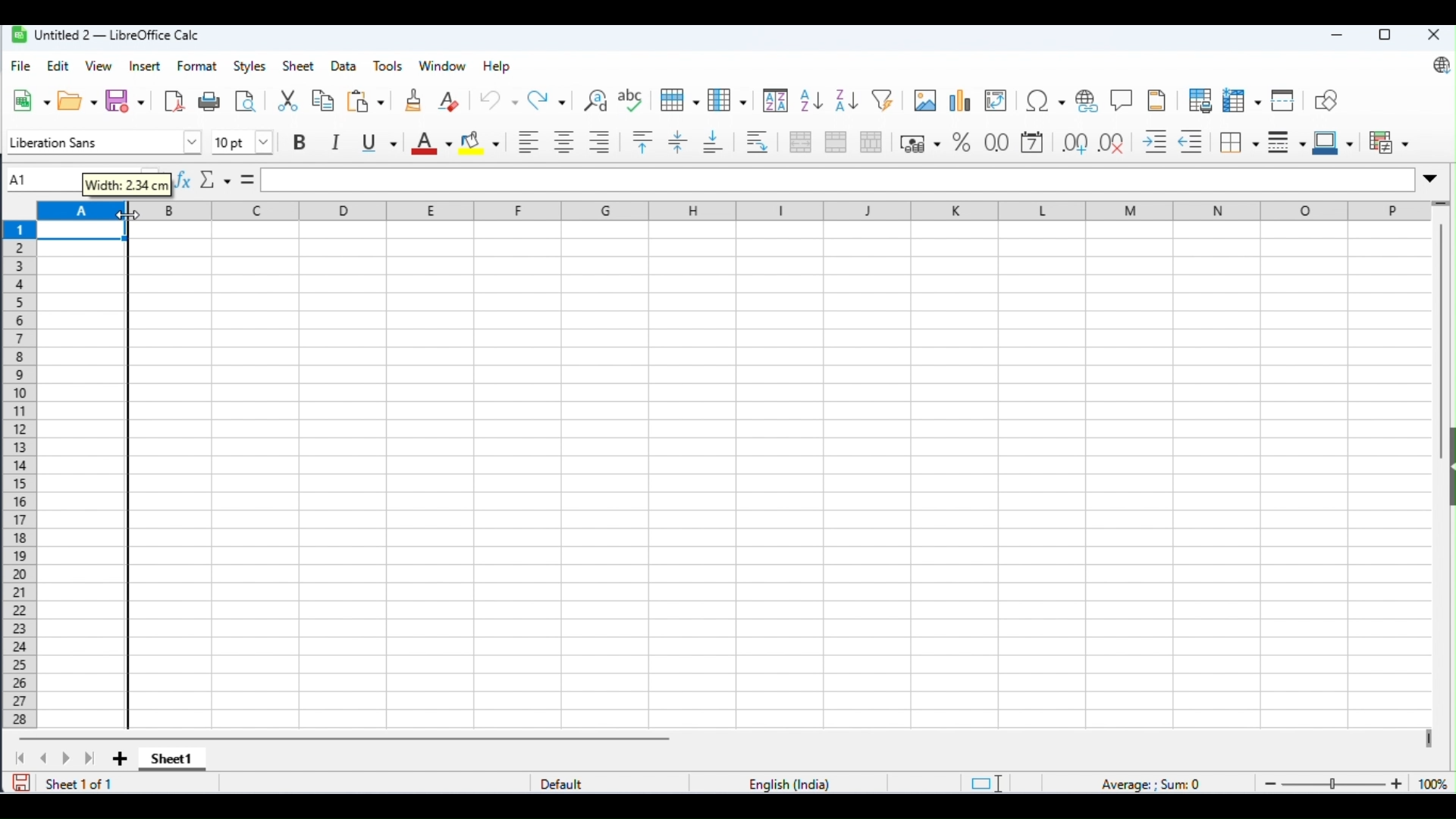  What do you see at coordinates (792, 783) in the screenshot?
I see `language` at bounding box center [792, 783].